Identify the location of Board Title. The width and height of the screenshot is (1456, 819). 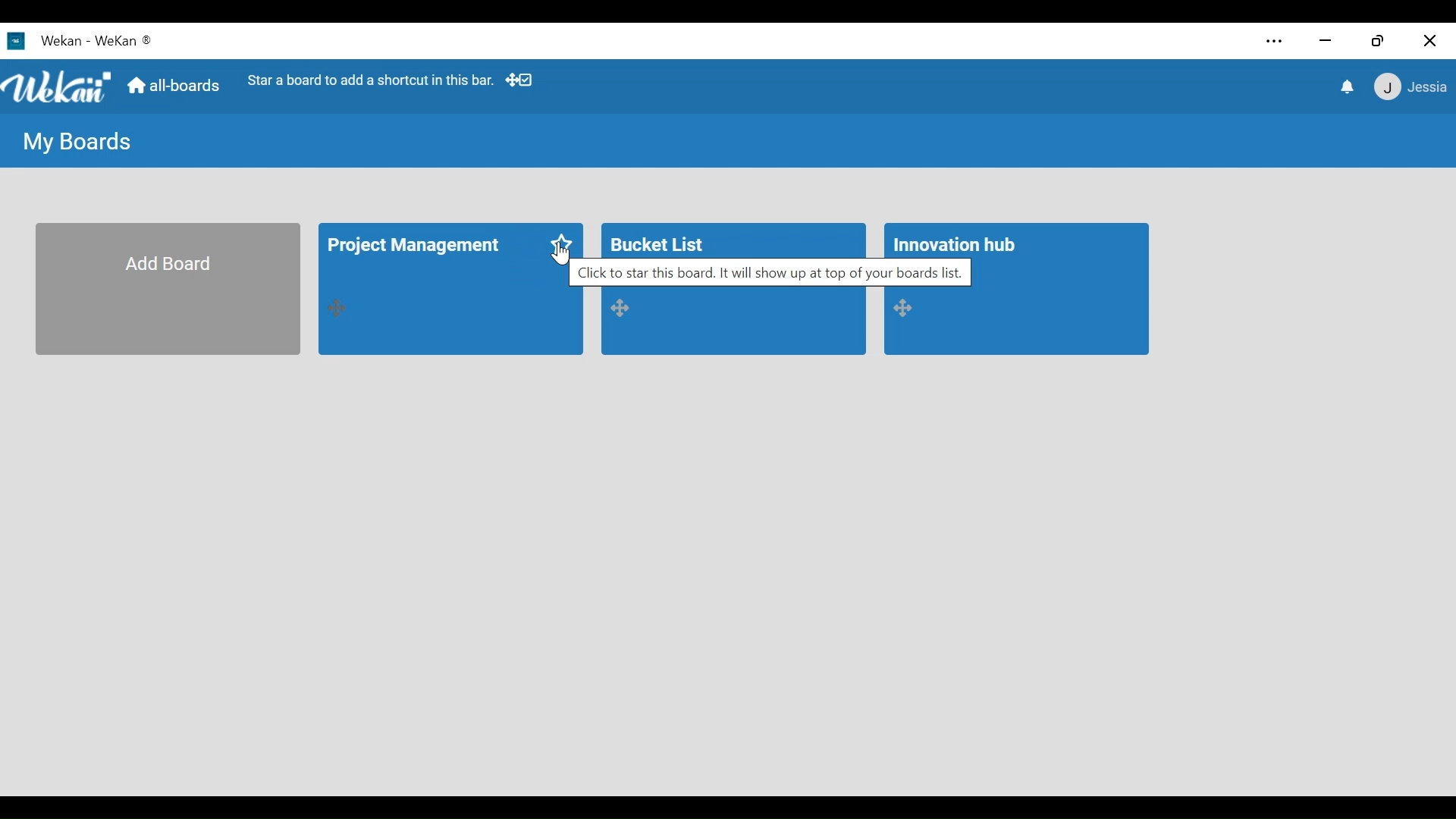
(661, 242).